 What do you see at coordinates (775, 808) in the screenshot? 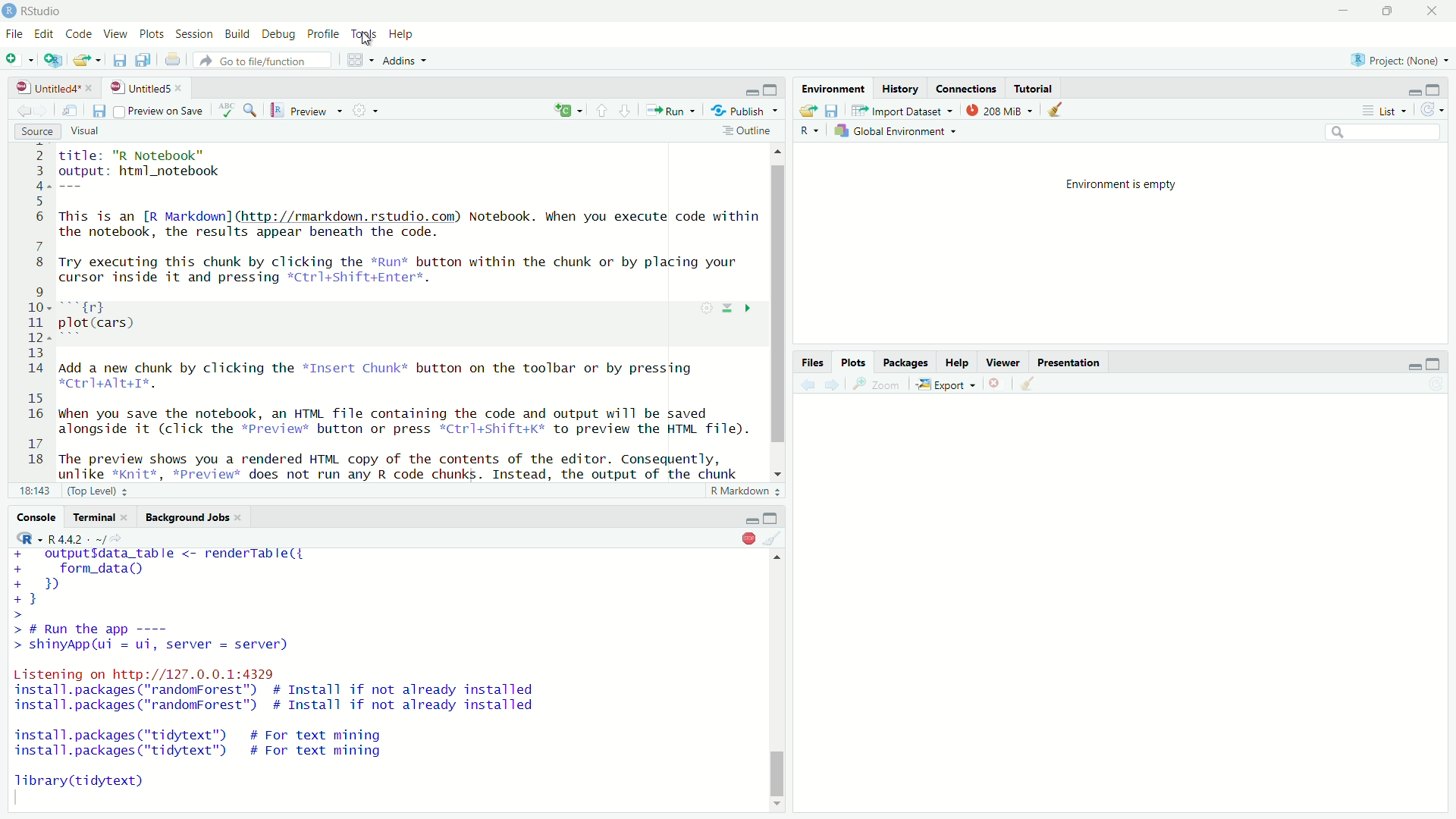
I see `scrollbar down` at bounding box center [775, 808].